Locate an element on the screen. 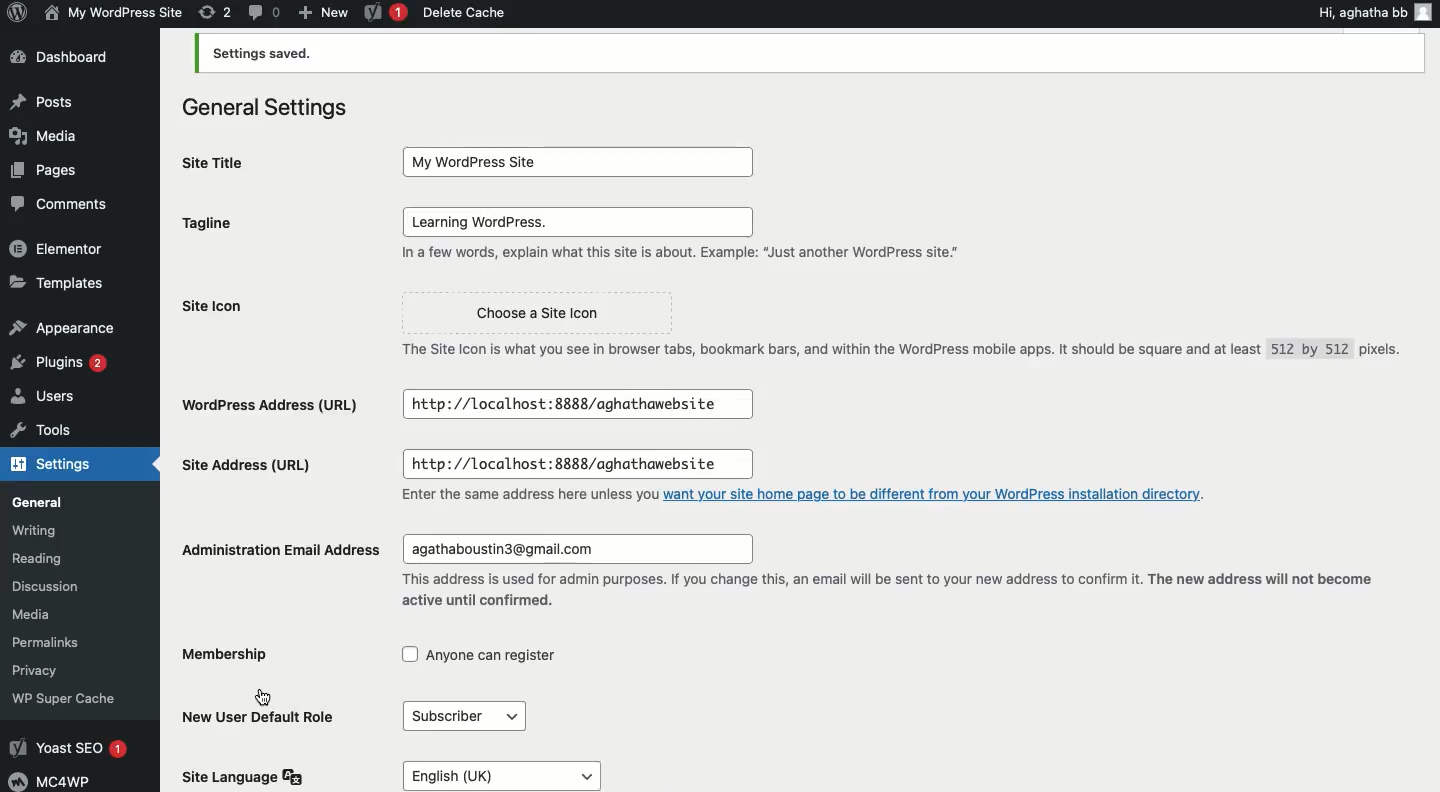 Image resolution: width=1440 pixels, height=792 pixels. General settings is located at coordinates (265, 107).